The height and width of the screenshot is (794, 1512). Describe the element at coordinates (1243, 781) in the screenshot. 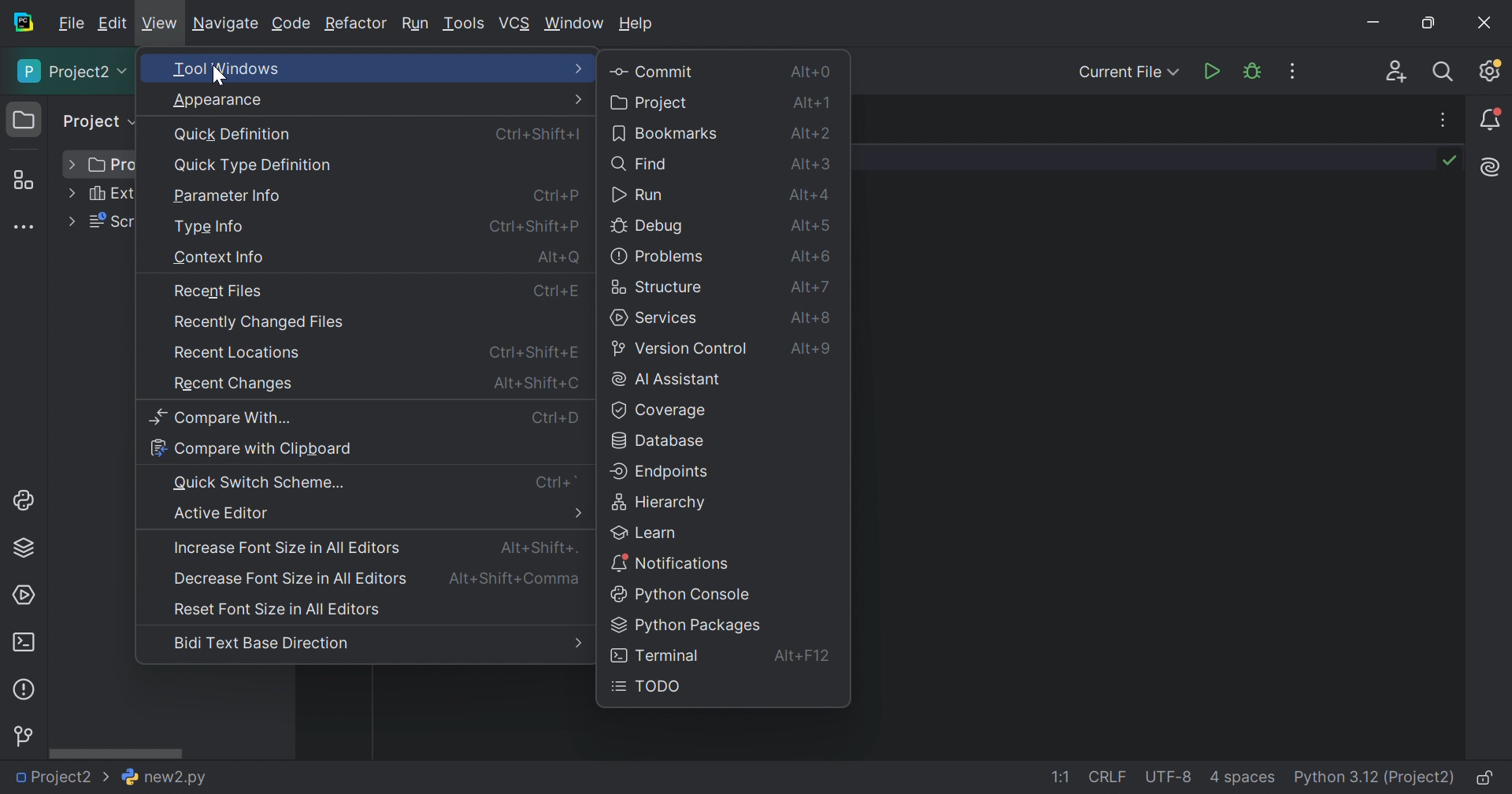

I see `4 spaces` at that location.